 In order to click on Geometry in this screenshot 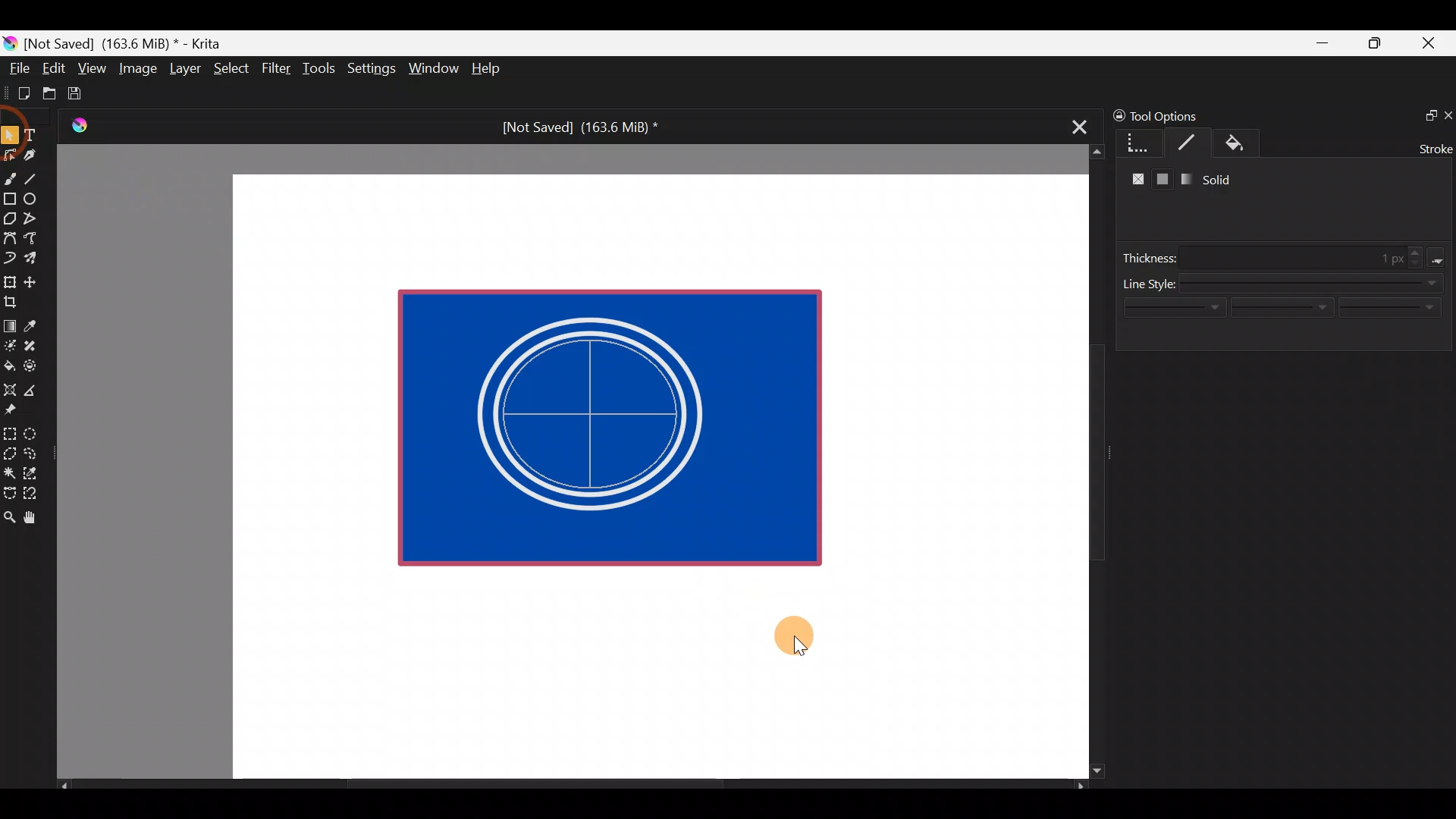, I will do `click(1141, 141)`.